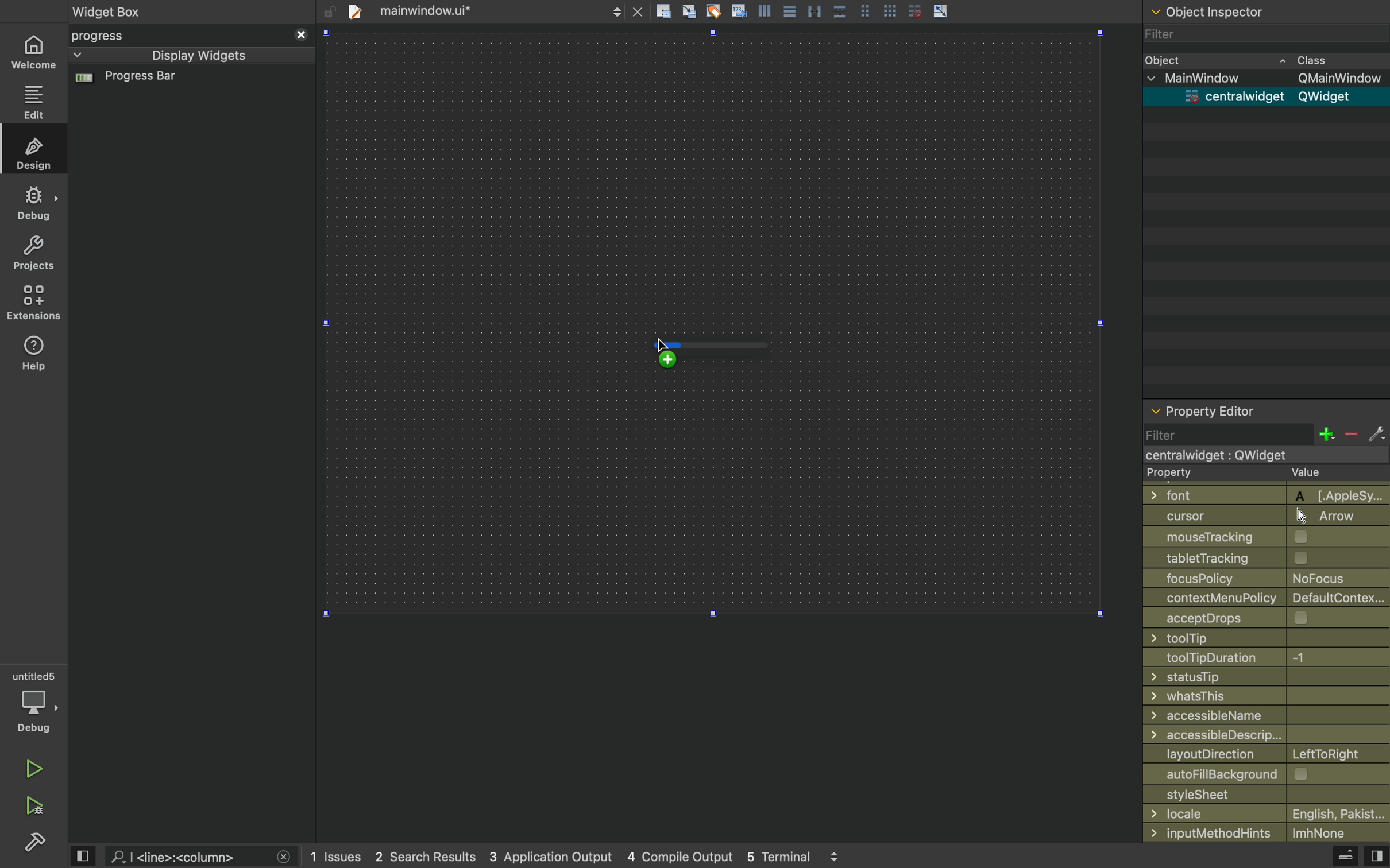 This screenshot has width=1390, height=868. Describe the element at coordinates (36, 152) in the screenshot. I see `edit` at that location.